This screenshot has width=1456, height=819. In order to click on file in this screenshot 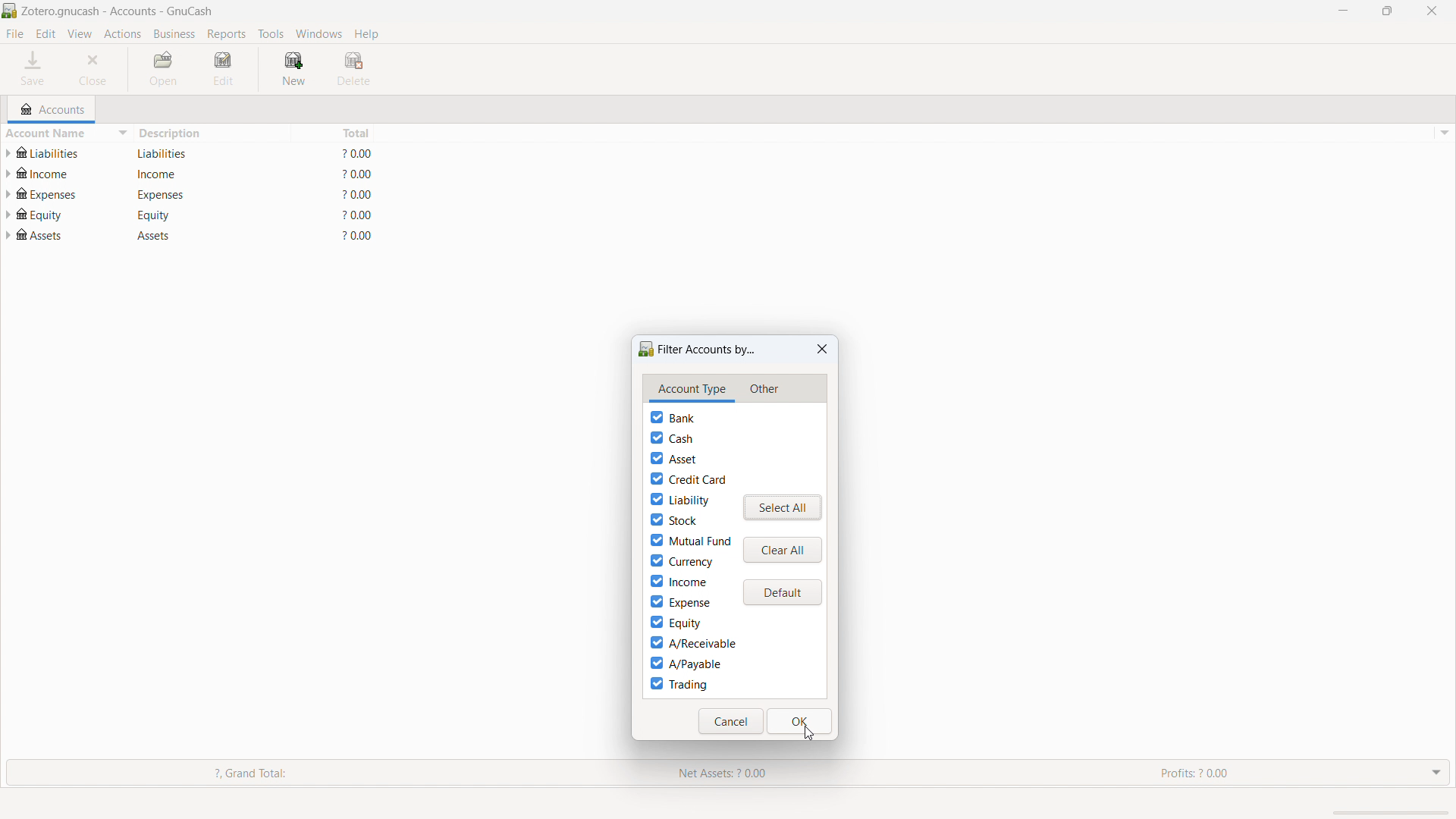, I will do `click(14, 34)`.